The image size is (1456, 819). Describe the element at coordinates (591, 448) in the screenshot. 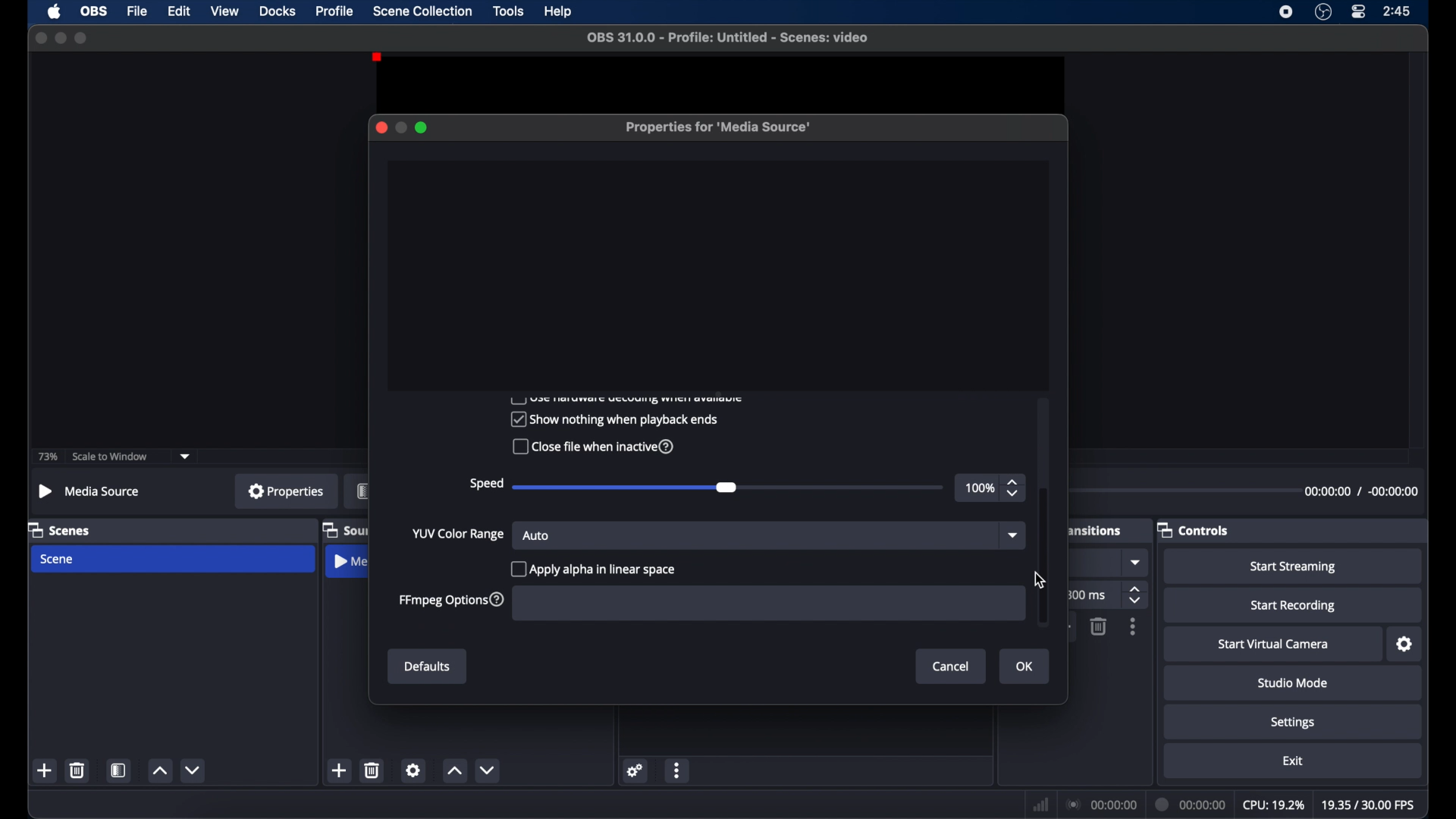

I see `Close file when inactive` at that location.